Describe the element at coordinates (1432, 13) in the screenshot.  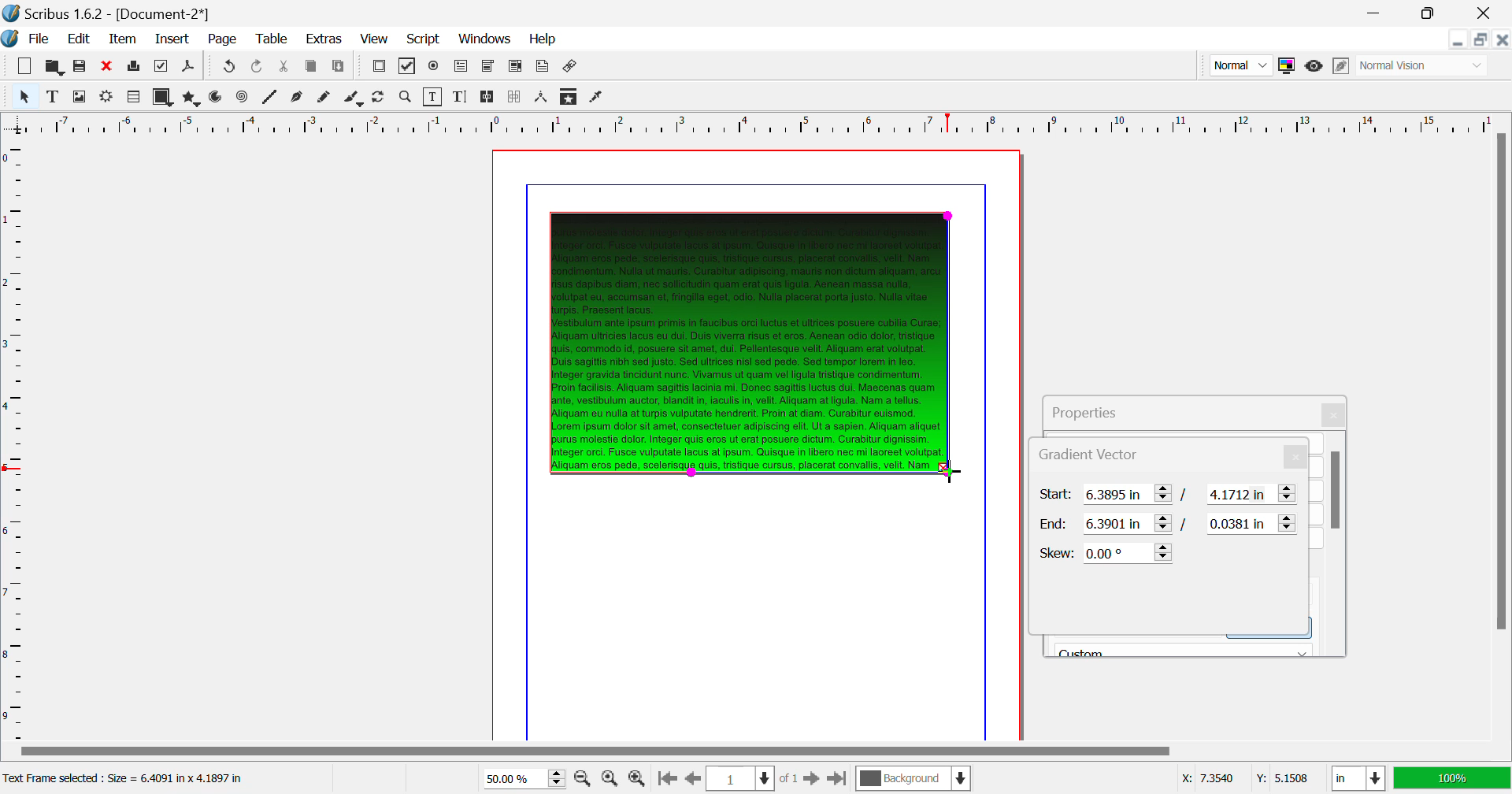
I see `Minimize` at that location.